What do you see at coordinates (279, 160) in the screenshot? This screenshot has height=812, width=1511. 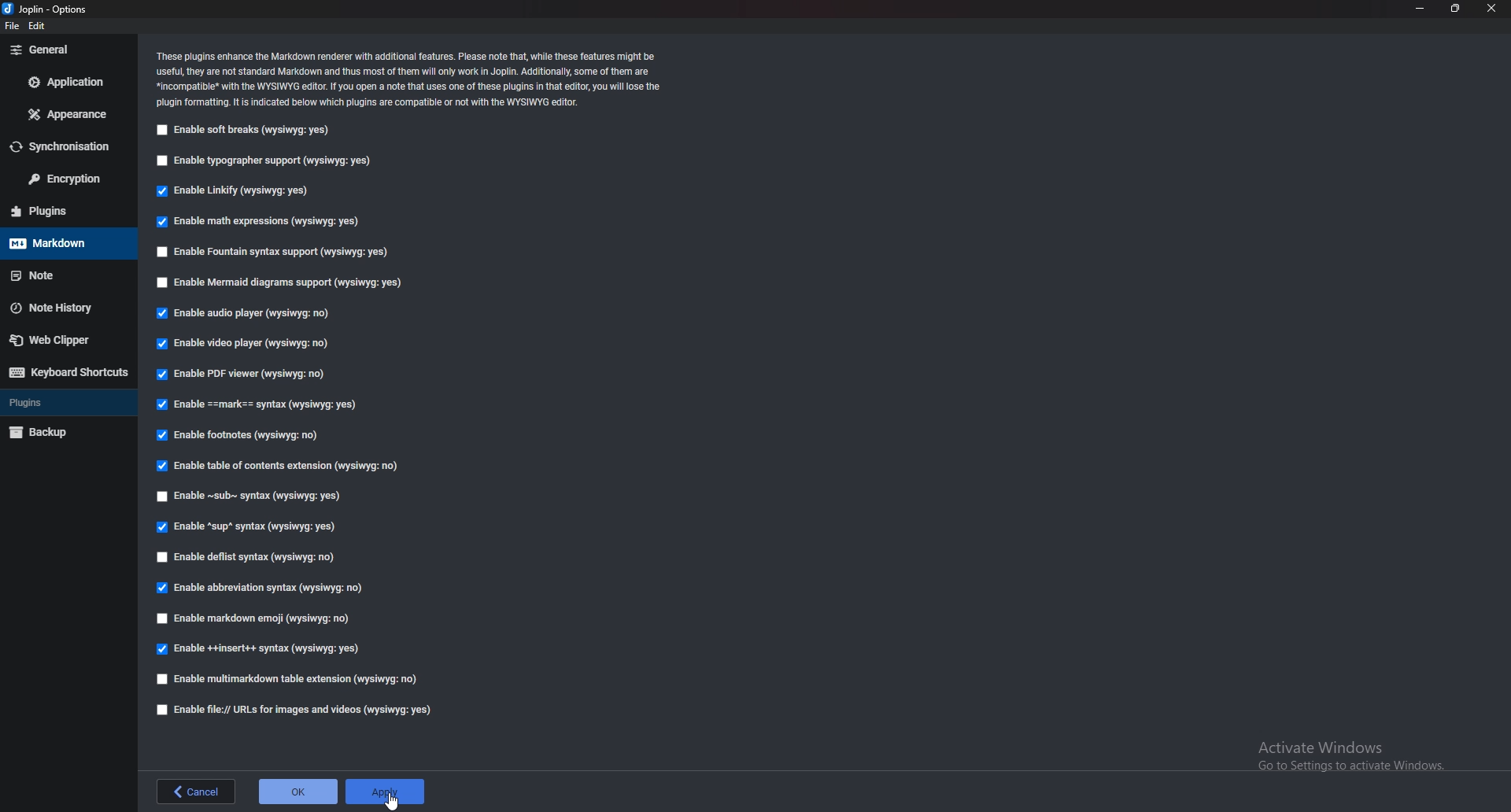 I see `Enable typographer support` at bounding box center [279, 160].